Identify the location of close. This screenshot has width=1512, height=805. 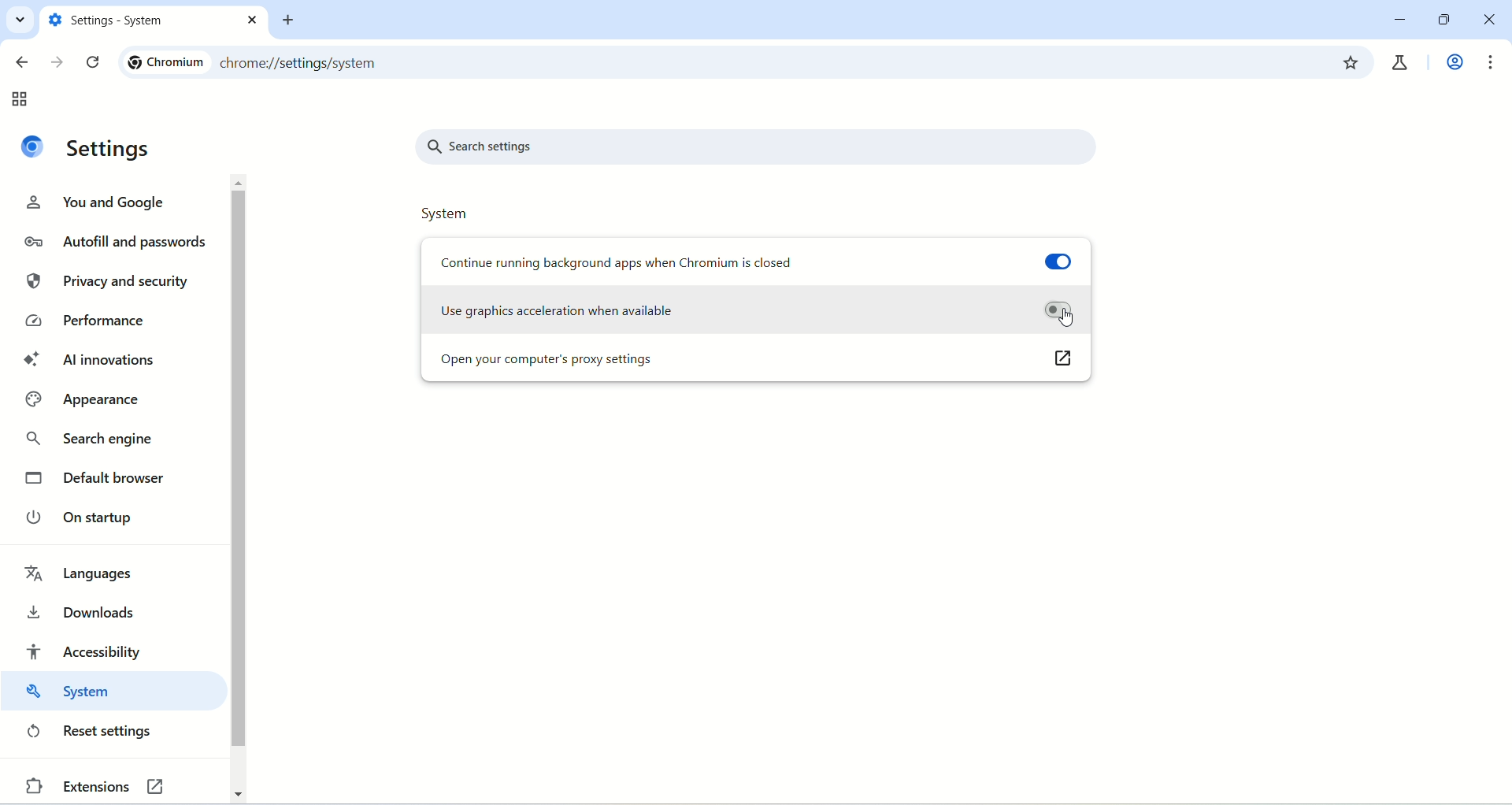
(1491, 20).